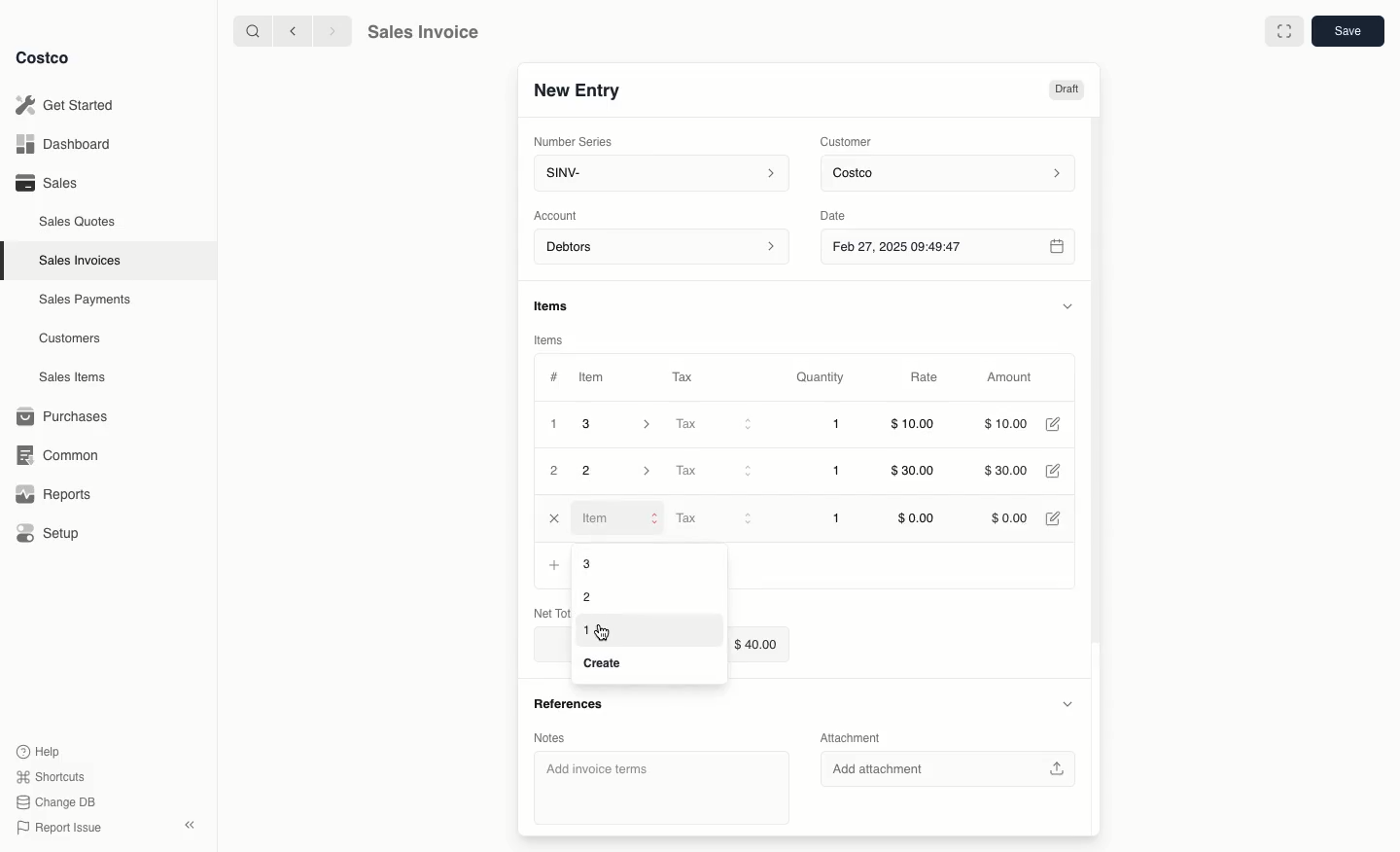  What do you see at coordinates (593, 376) in the screenshot?
I see `Item` at bounding box center [593, 376].